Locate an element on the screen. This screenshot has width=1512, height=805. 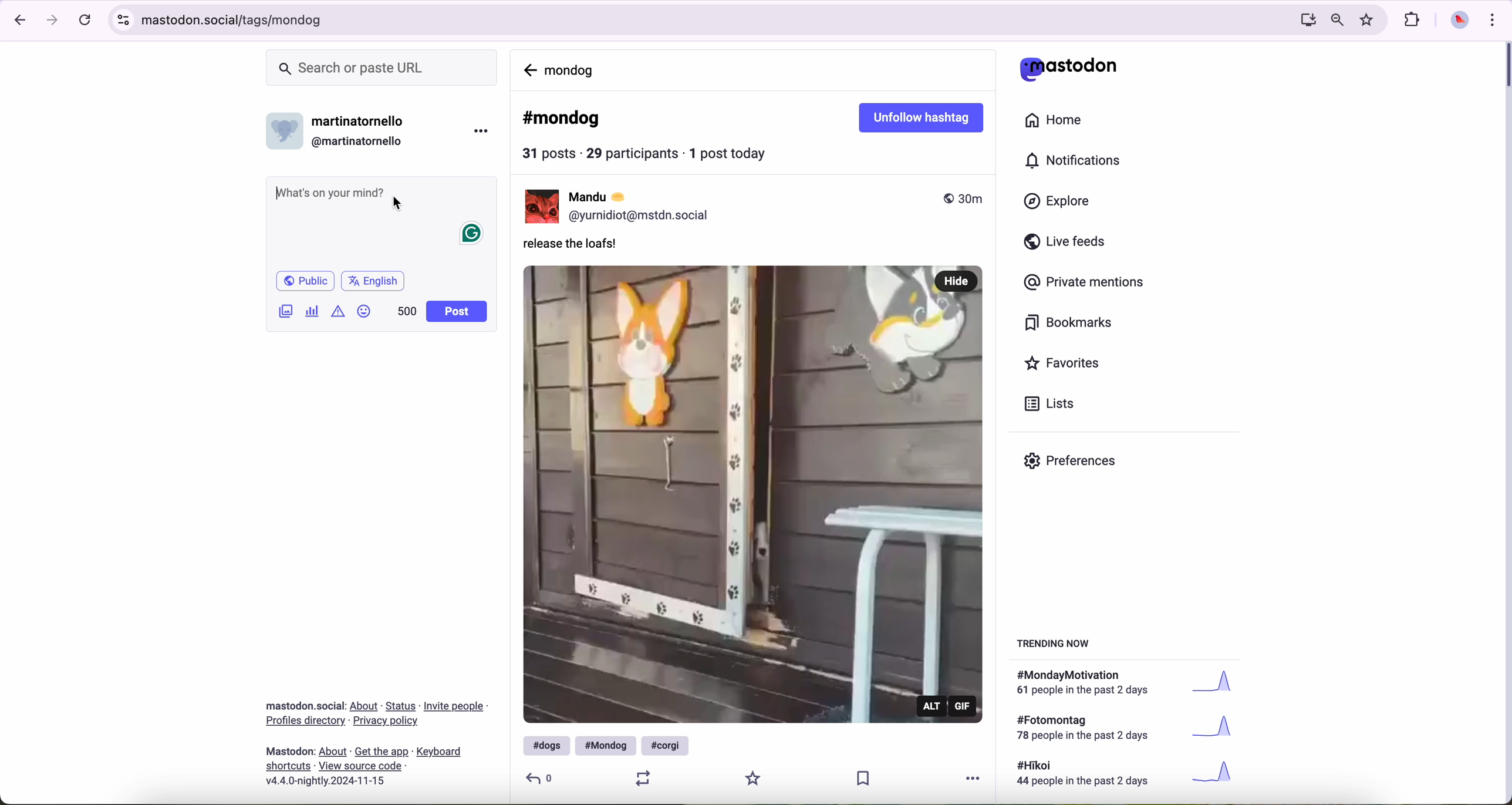
cursor on post message is located at coordinates (401, 203).